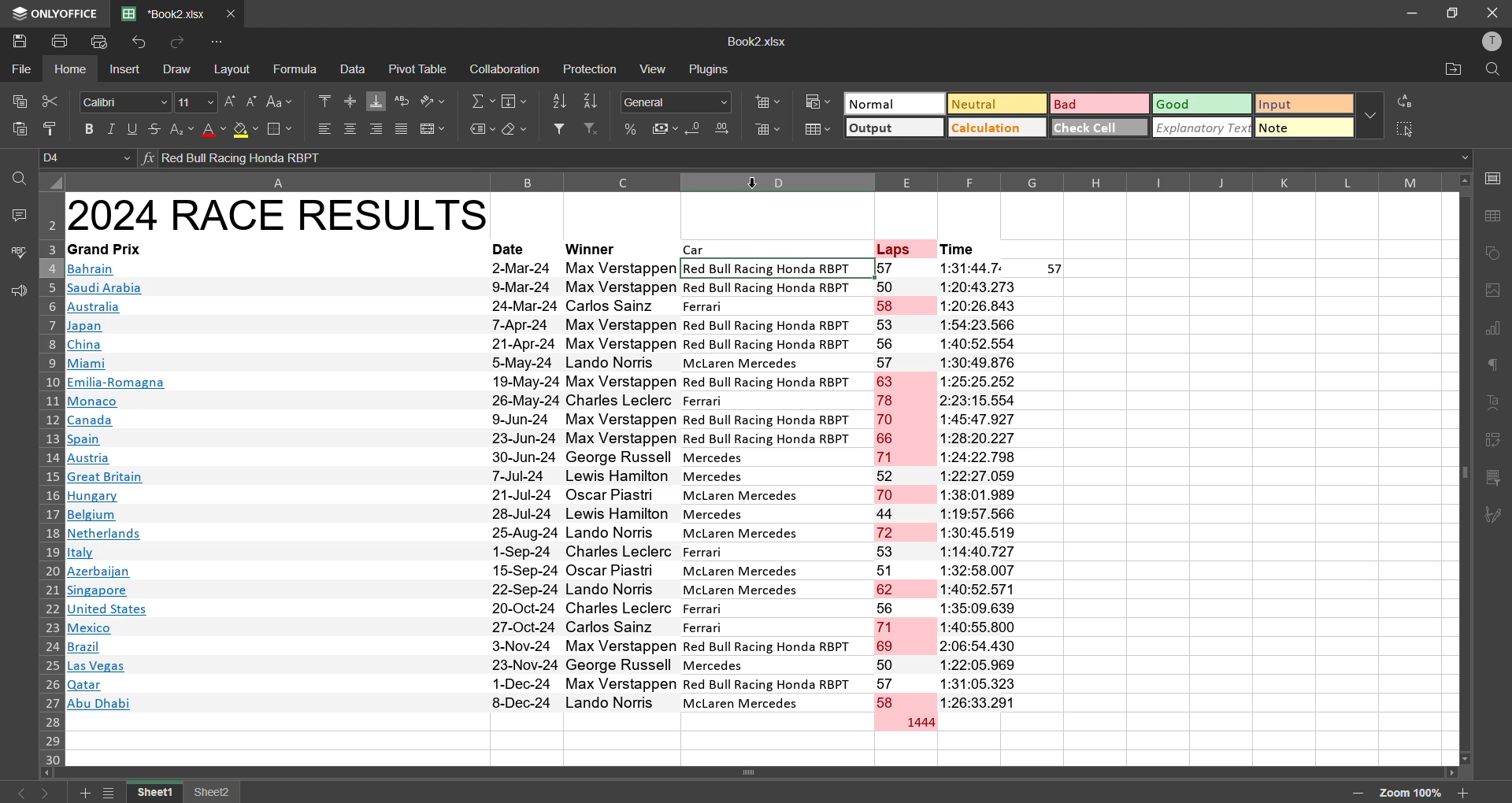 This screenshot has height=803, width=1512. I want to click on percent, so click(632, 130).